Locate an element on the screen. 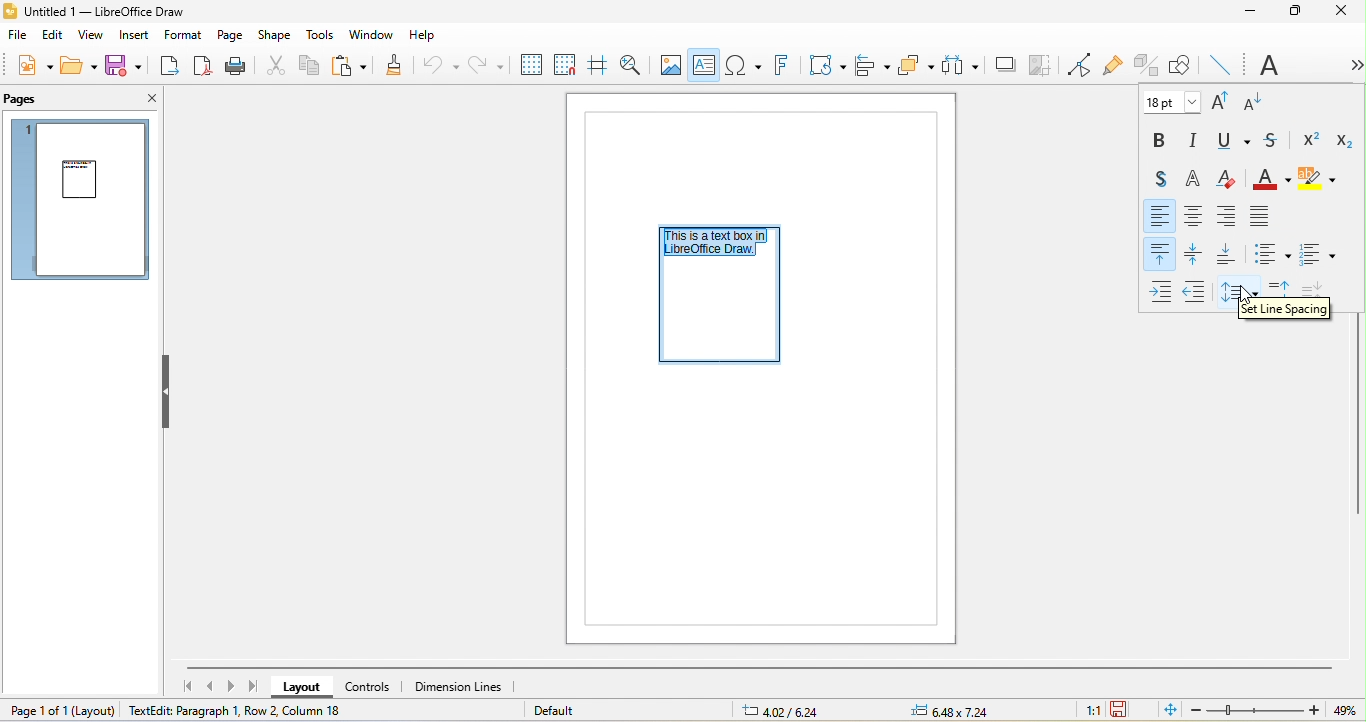 This screenshot has width=1366, height=722. first page is located at coordinates (181, 685).